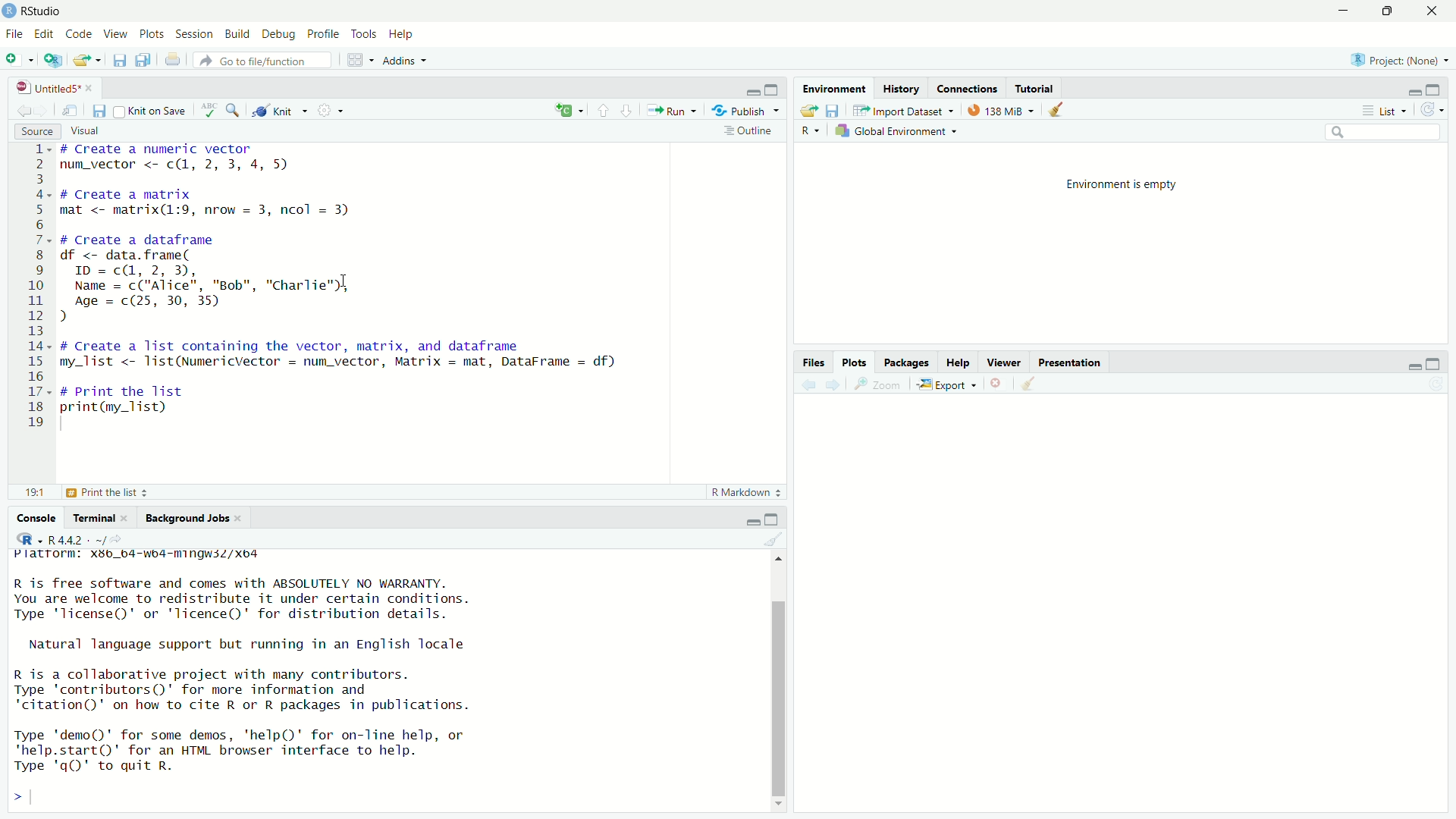 The width and height of the screenshot is (1456, 819). I want to click on Global Environment, so click(899, 130).